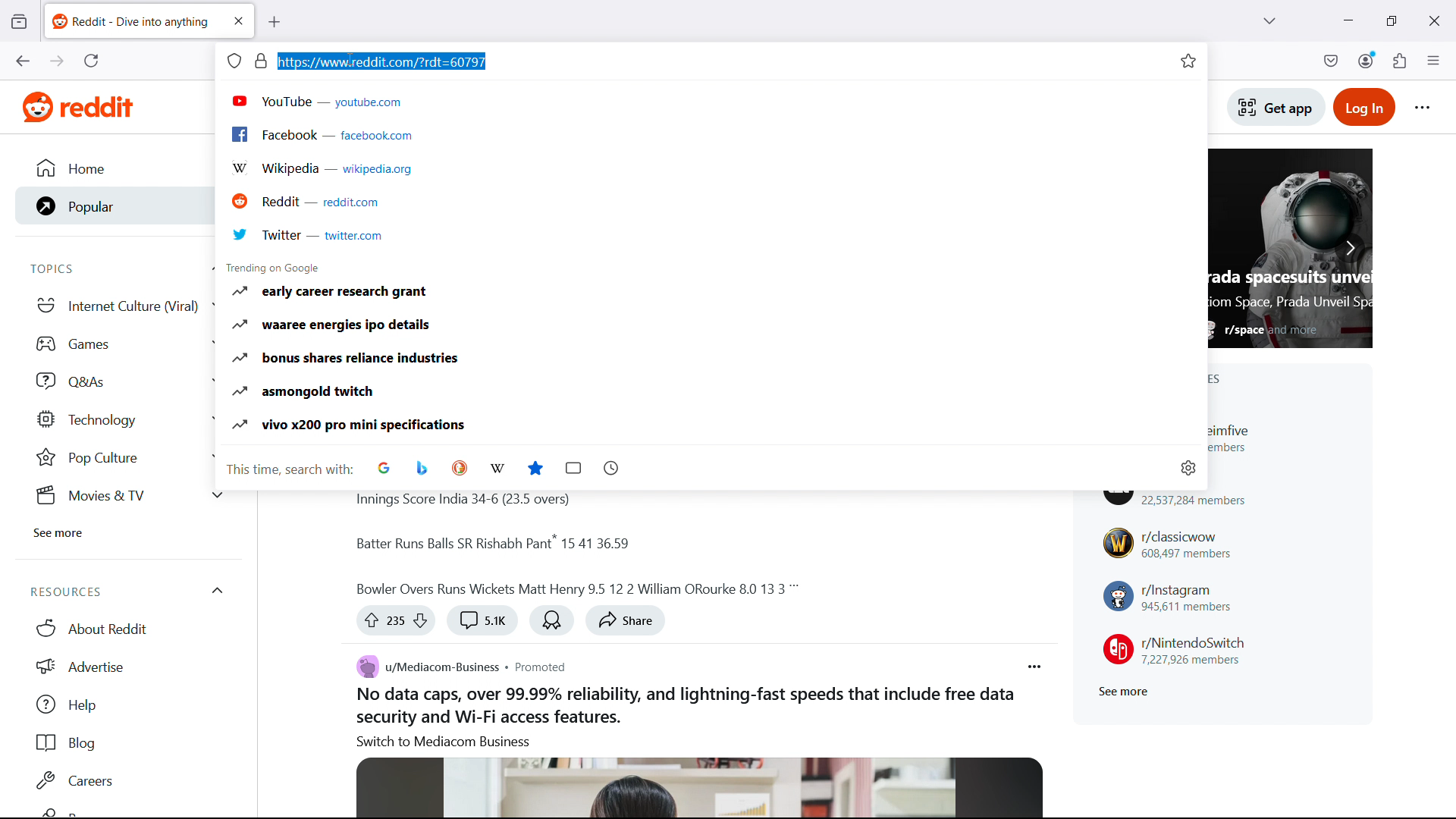  I want to click on Topics, so click(117, 268).